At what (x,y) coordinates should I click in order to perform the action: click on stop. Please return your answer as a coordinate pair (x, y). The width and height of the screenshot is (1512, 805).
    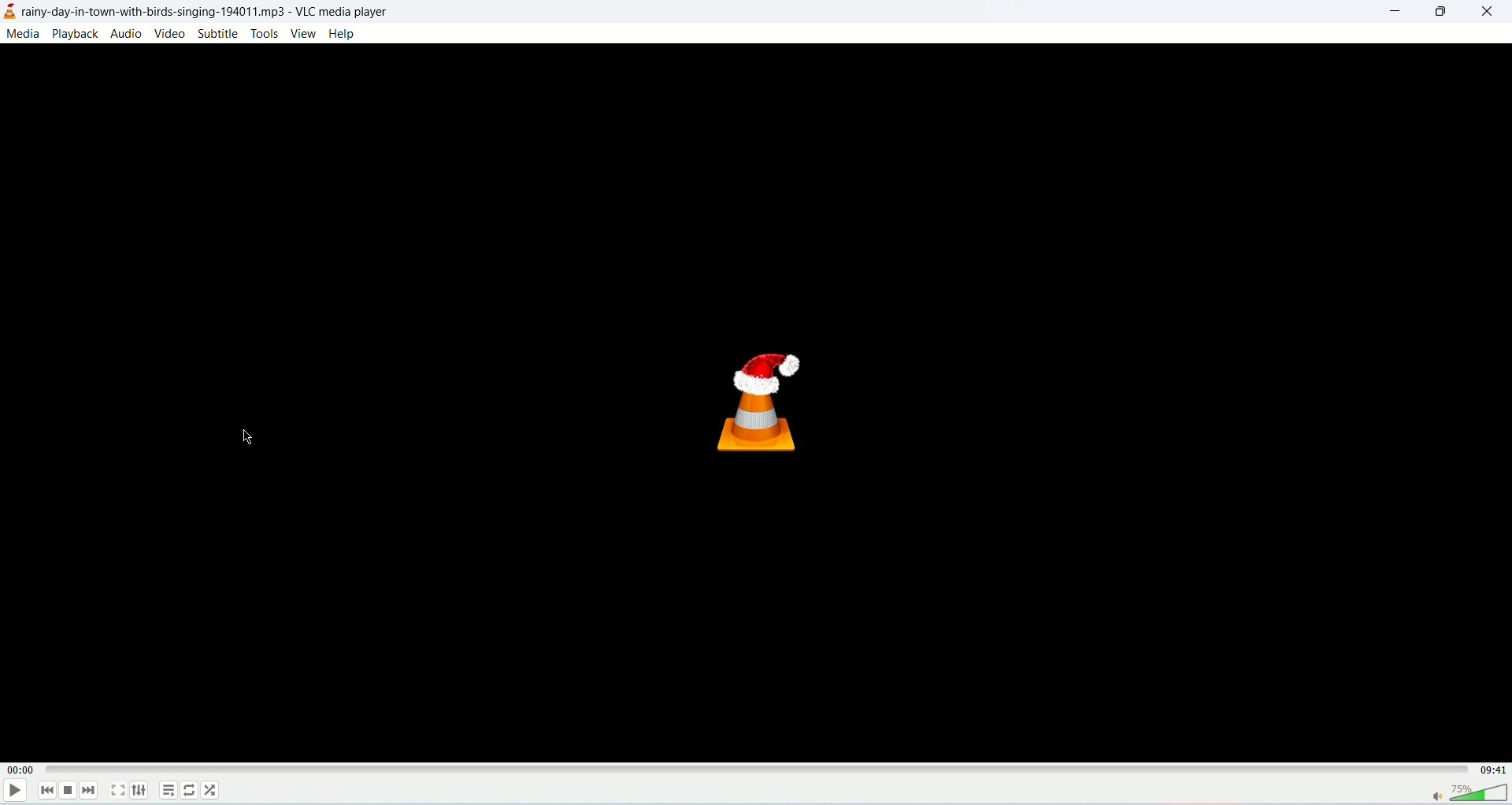
    Looking at the image, I should click on (67, 792).